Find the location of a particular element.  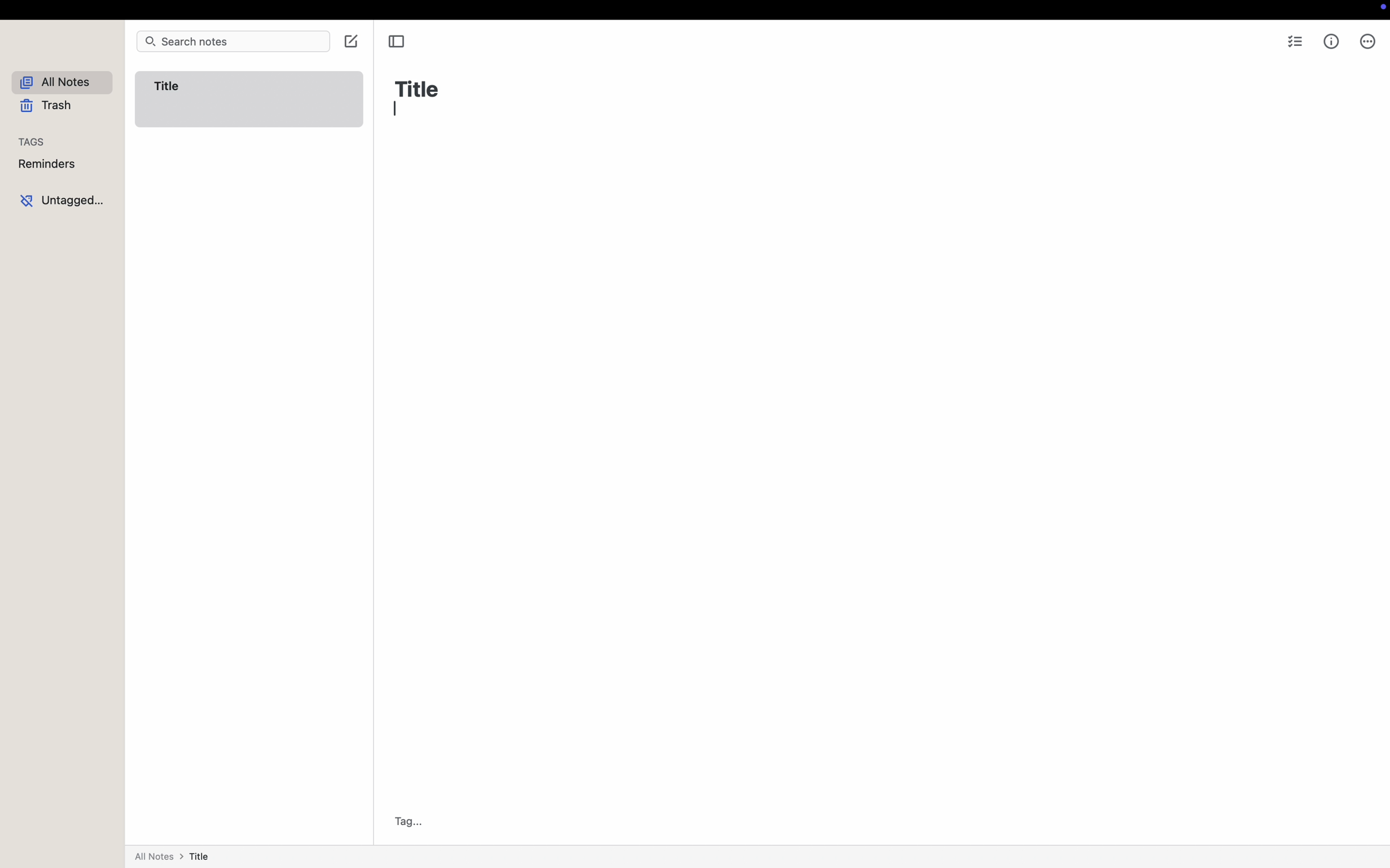

click on create note is located at coordinates (354, 43).